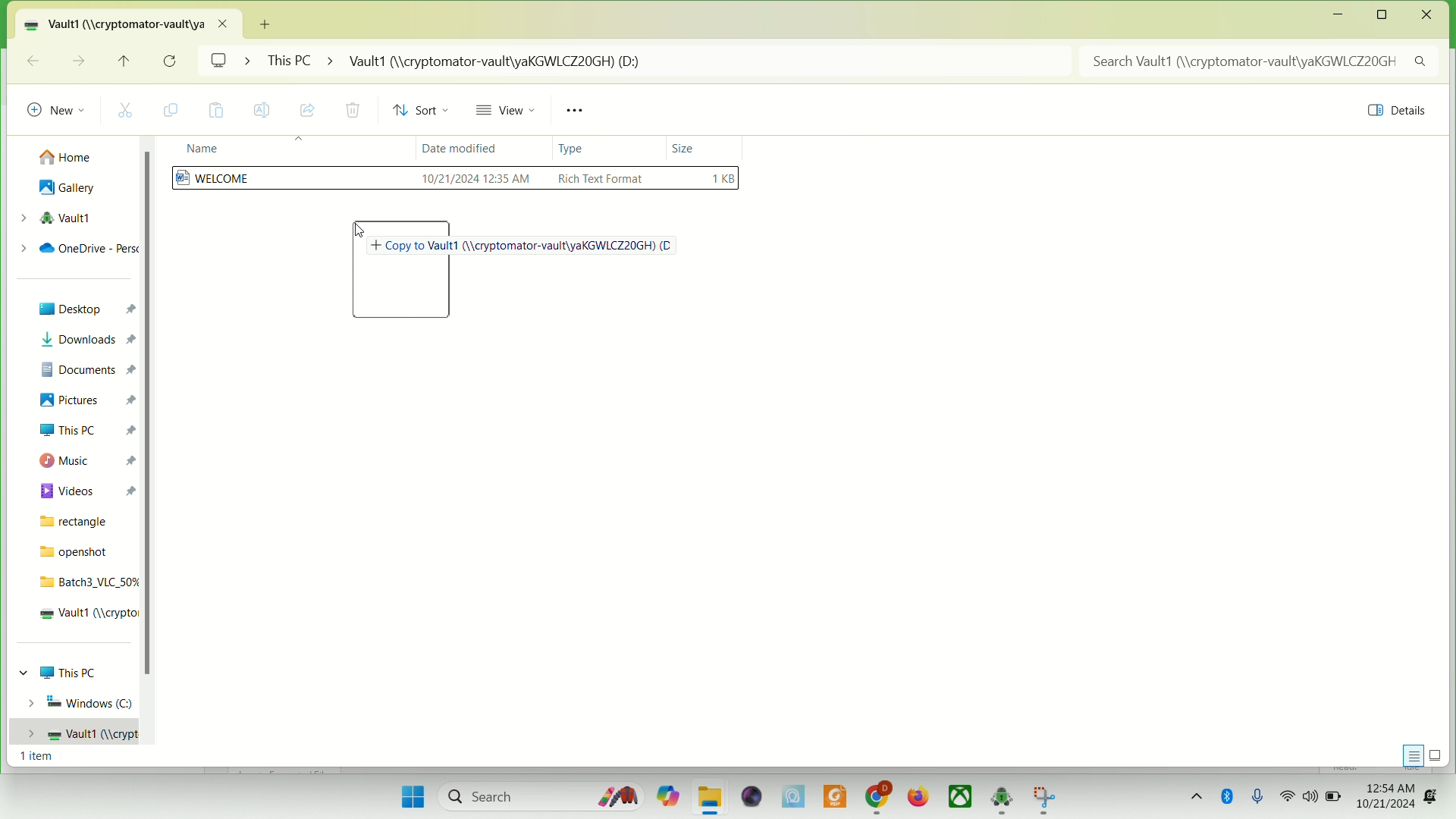 This screenshot has width=1456, height=819. I want to click on refresh, so click(171, 61).